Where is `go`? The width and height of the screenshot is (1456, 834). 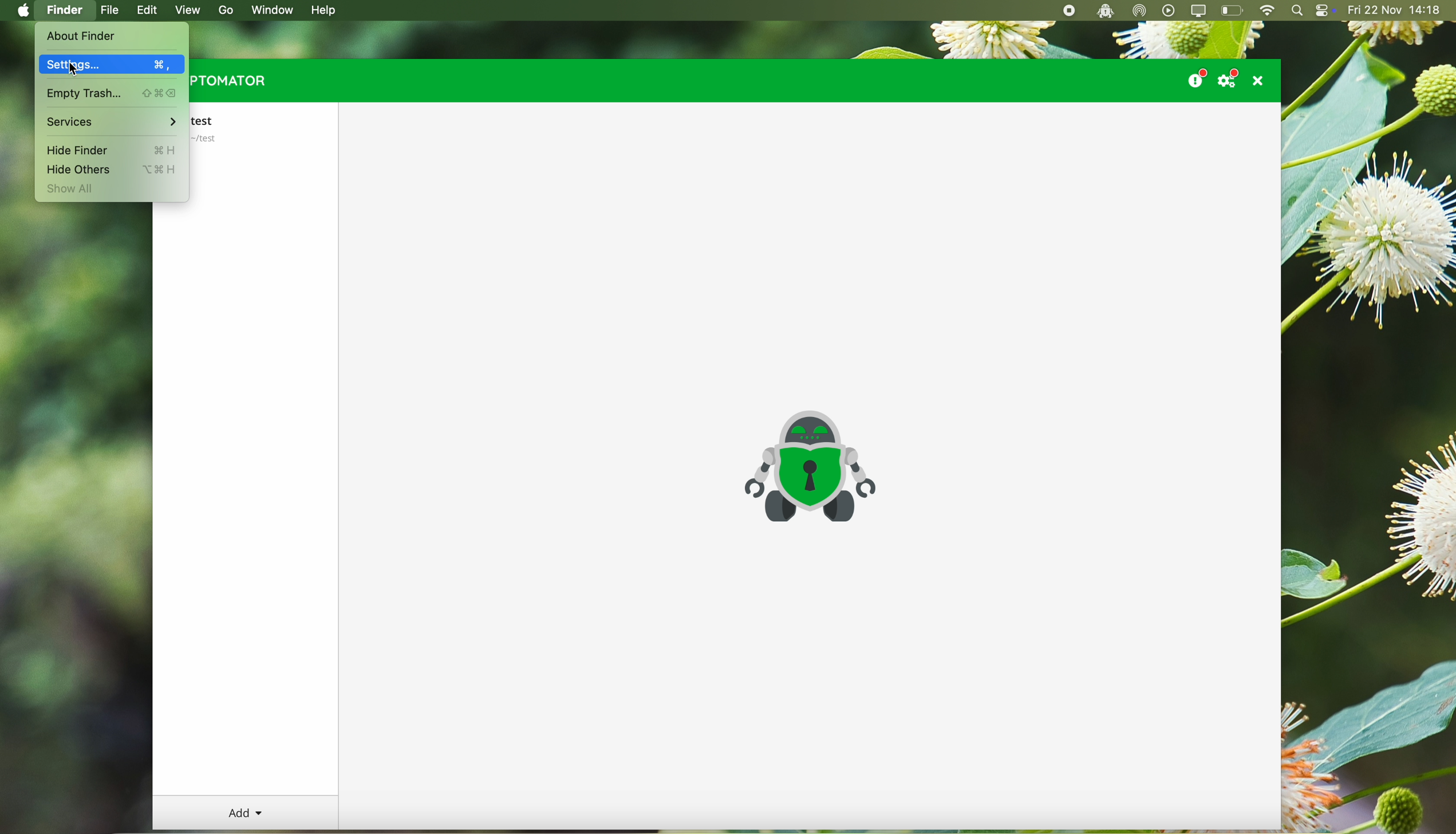
go is located at coordinates (224, 10).